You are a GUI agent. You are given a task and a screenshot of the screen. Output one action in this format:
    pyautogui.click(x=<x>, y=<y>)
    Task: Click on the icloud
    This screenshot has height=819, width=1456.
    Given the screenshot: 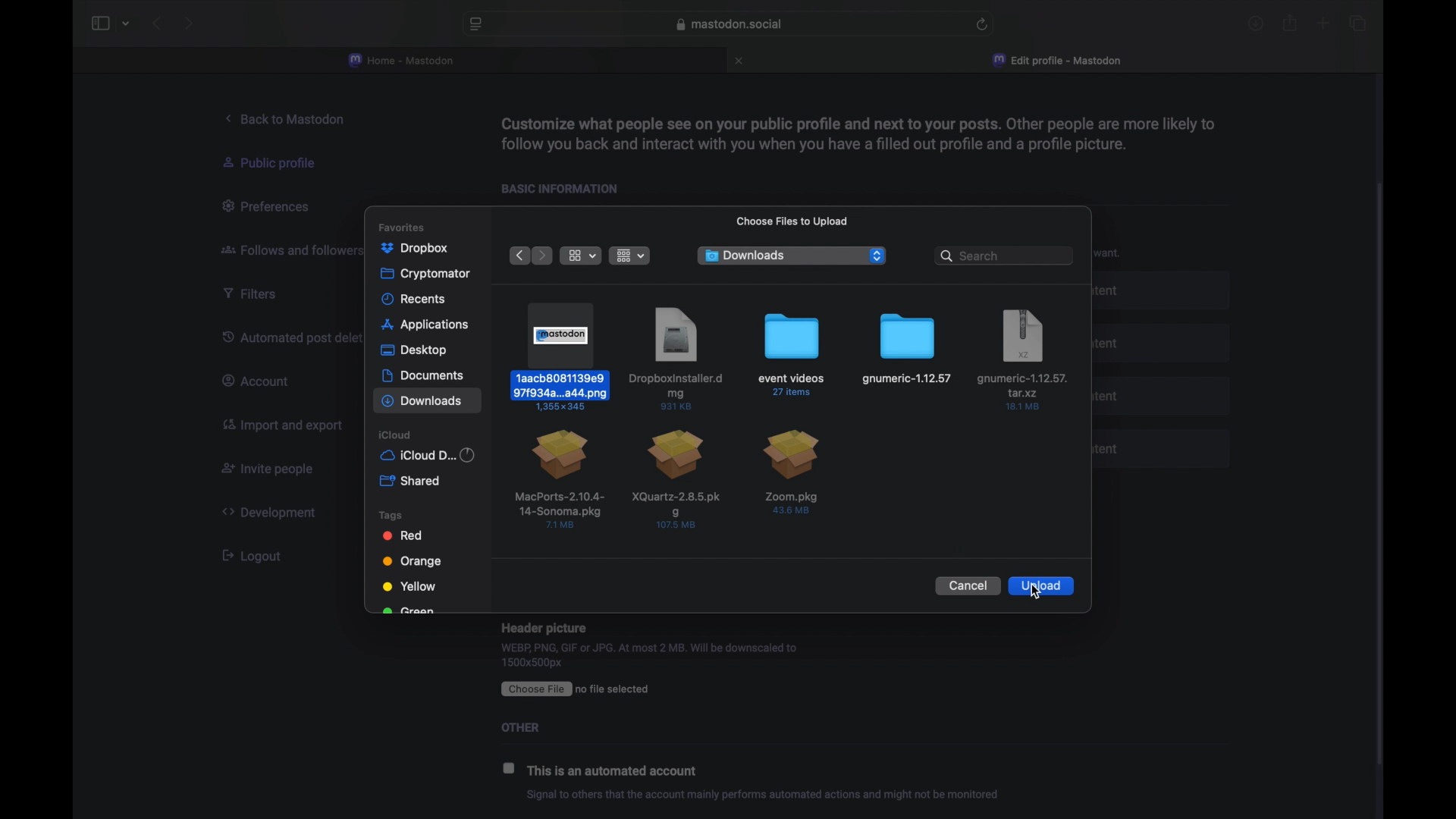 What is the action you would take?
    pyautogui.click(x=396, y=435)
    